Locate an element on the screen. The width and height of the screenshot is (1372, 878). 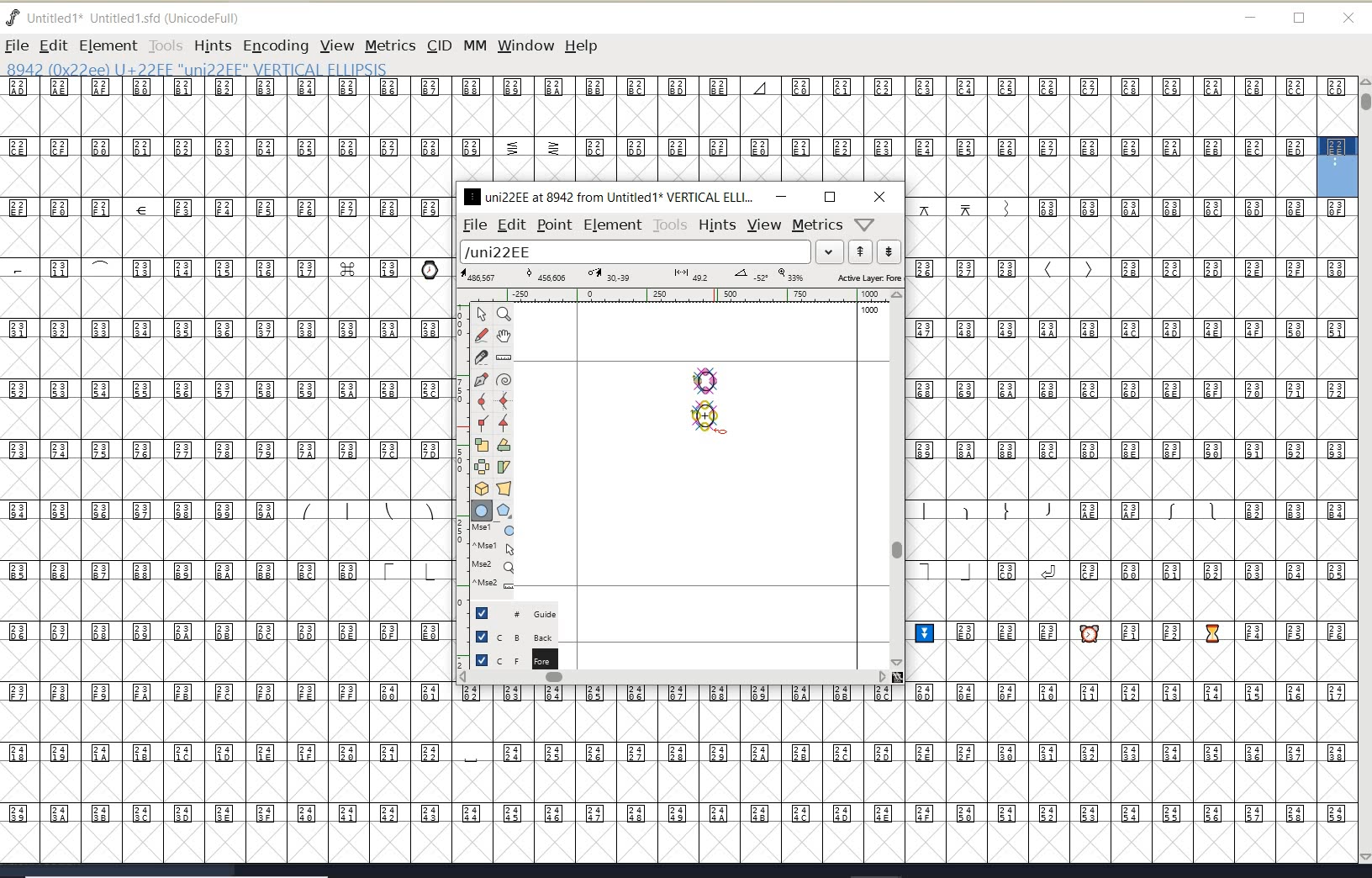
ELEMENT is located at coordinates (108, 45).